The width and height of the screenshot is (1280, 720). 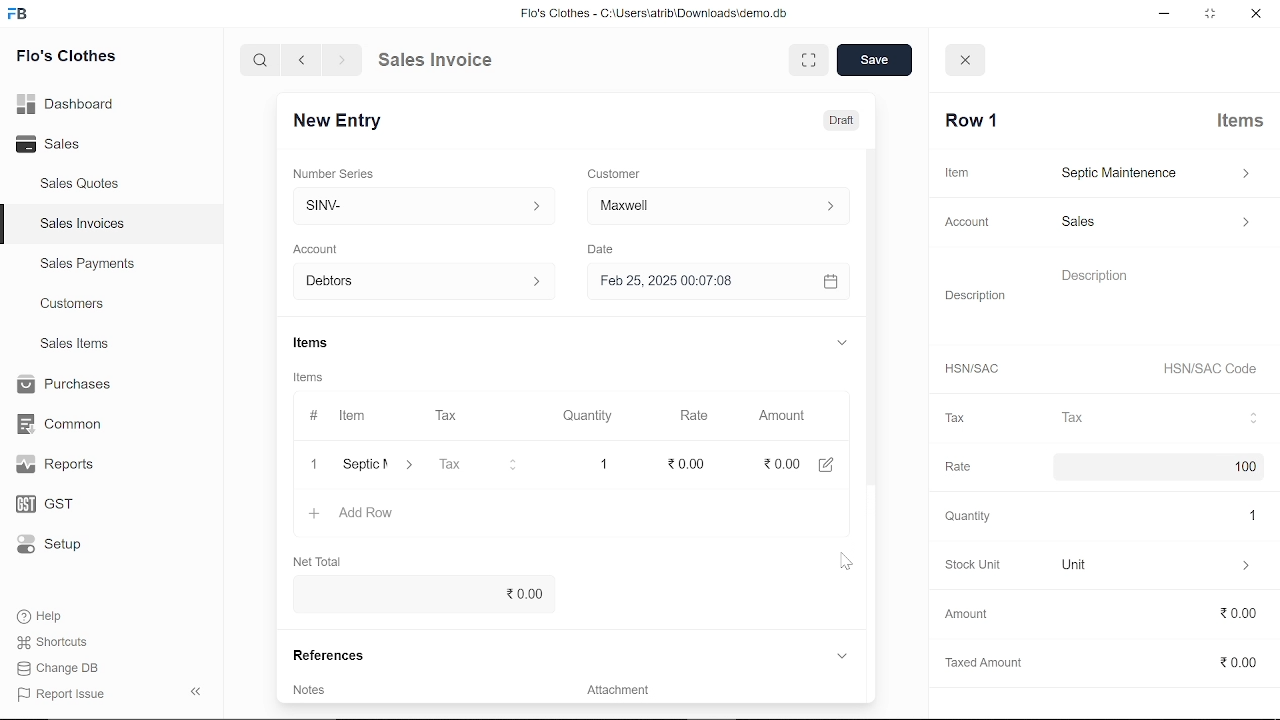 I want to click on sales, so click(x=1154, y=225).